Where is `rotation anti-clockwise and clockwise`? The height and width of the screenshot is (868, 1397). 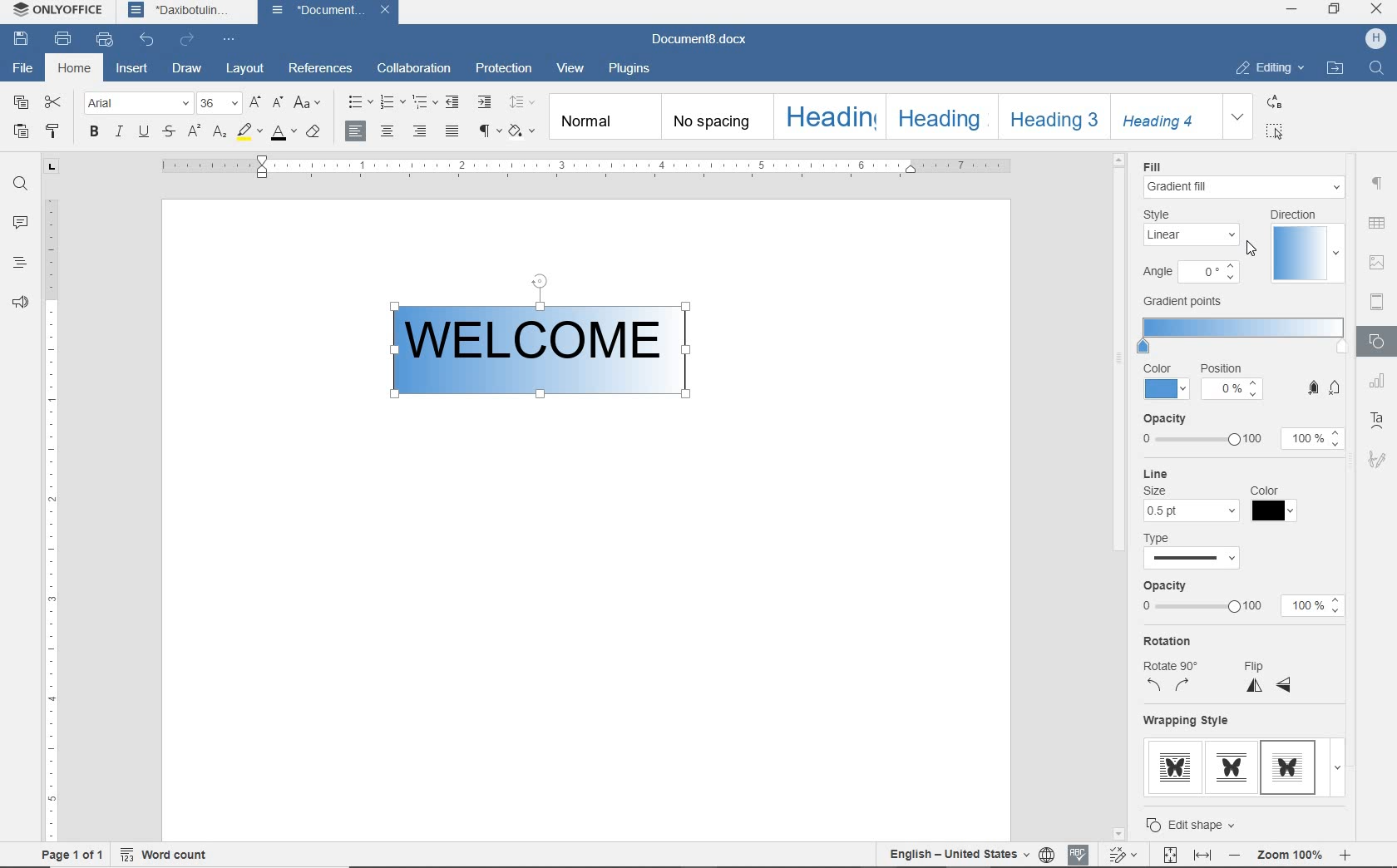
rotation anti-clockwise and clockwise is located at coordinates (1172, 688).